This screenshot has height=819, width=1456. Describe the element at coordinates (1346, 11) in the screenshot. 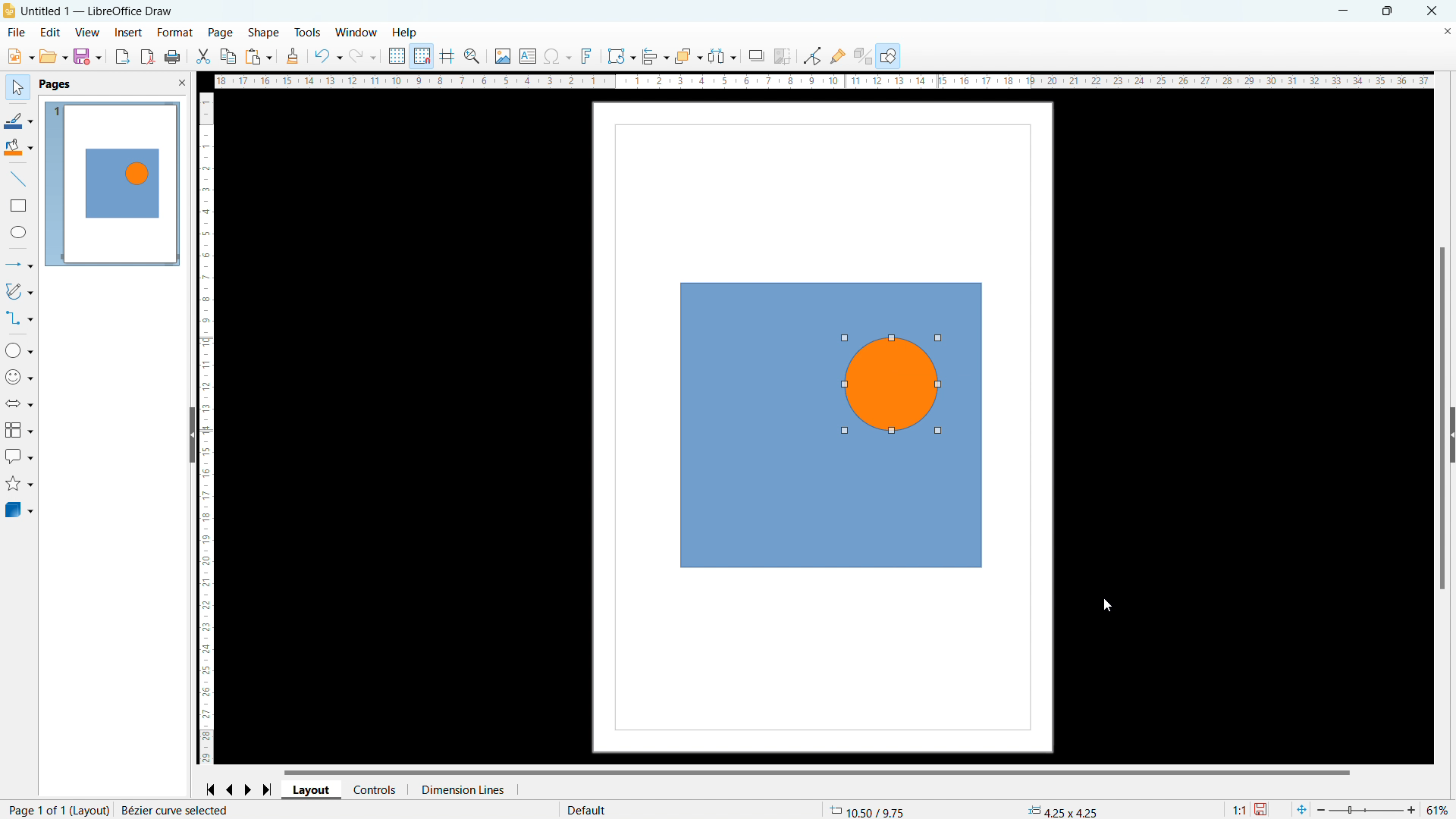

I see `minimize` at that location.